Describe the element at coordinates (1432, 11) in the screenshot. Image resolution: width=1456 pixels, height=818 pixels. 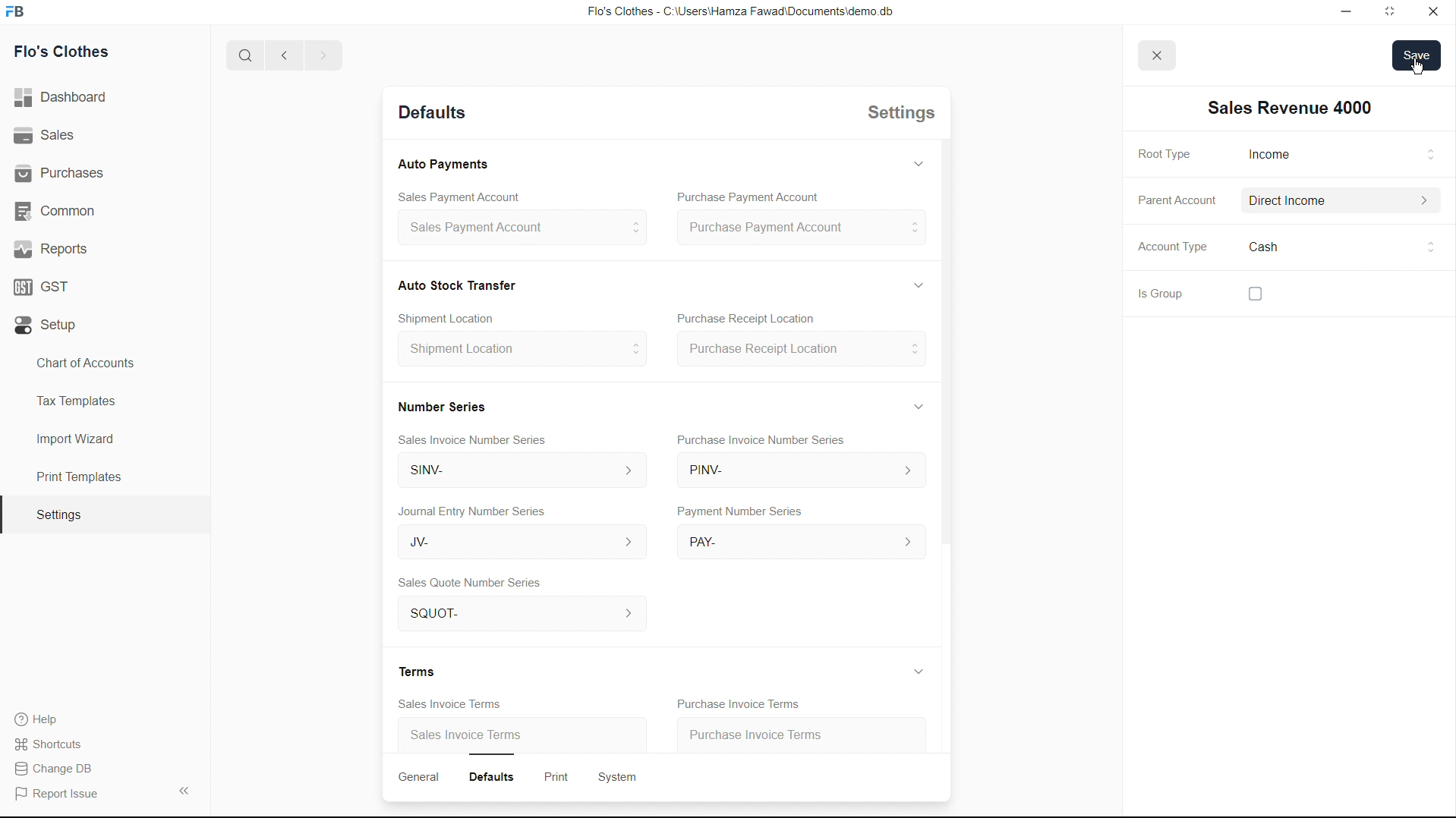
I see `Close` at that location.